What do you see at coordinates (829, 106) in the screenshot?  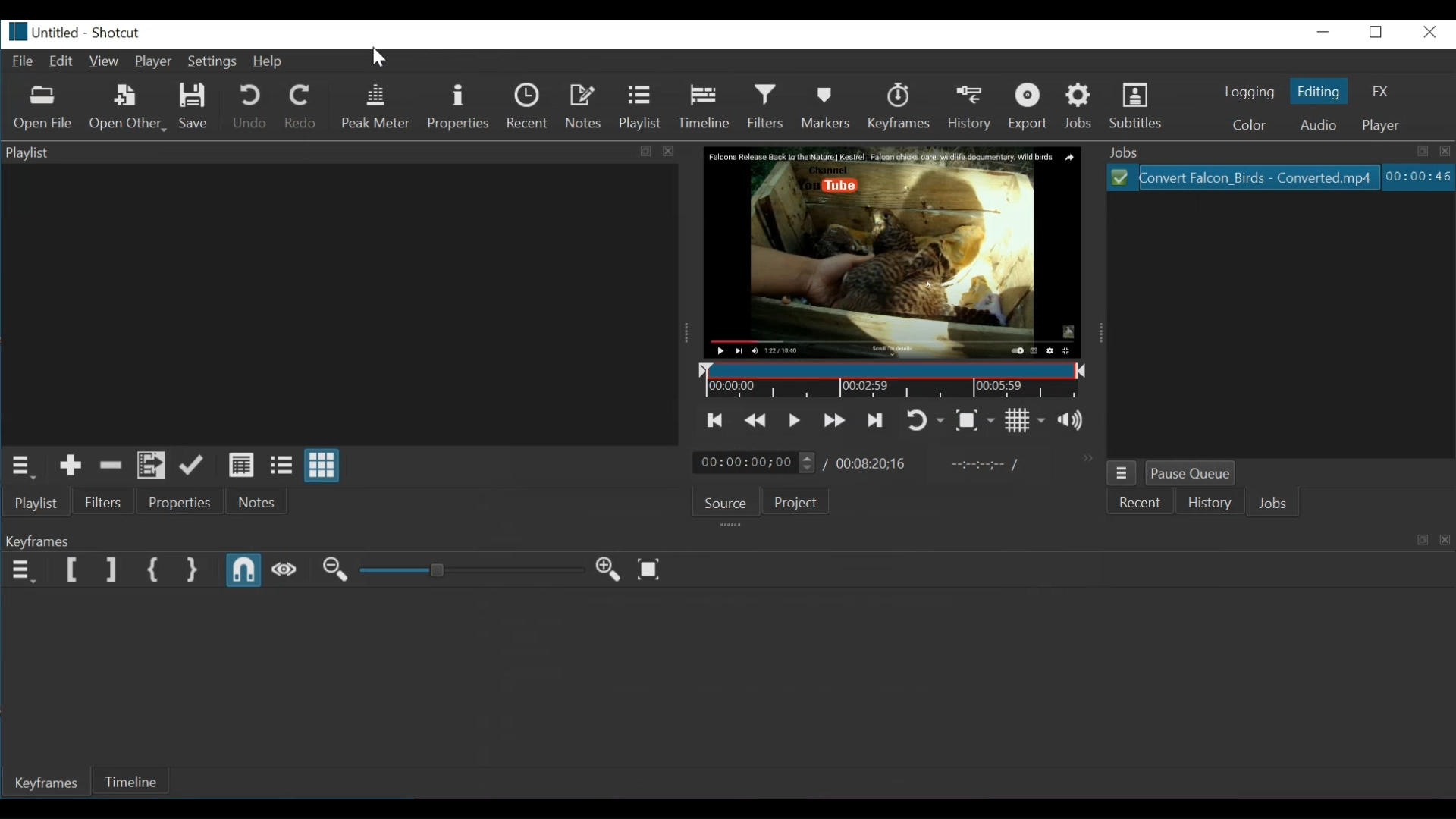 I see `Markers` at bounding box center [829, 106].